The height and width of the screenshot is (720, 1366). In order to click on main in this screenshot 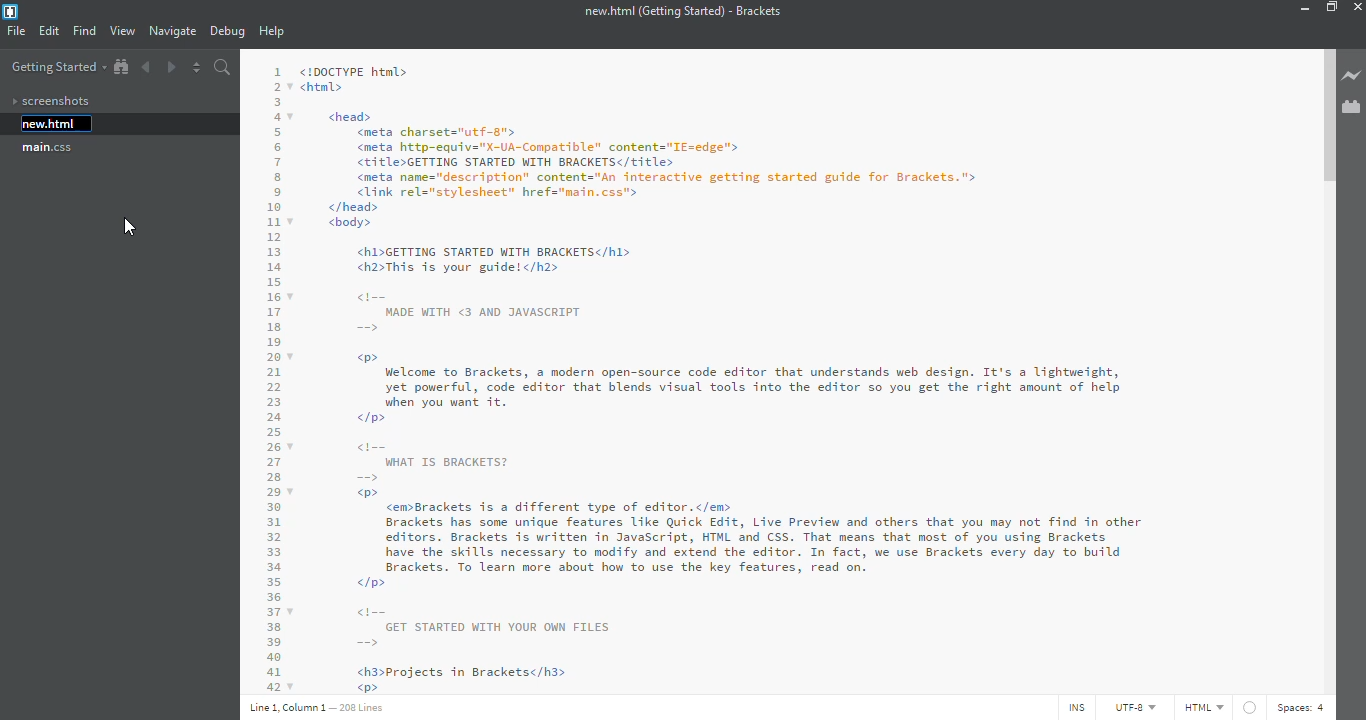, I will do `click(49, 148)`.